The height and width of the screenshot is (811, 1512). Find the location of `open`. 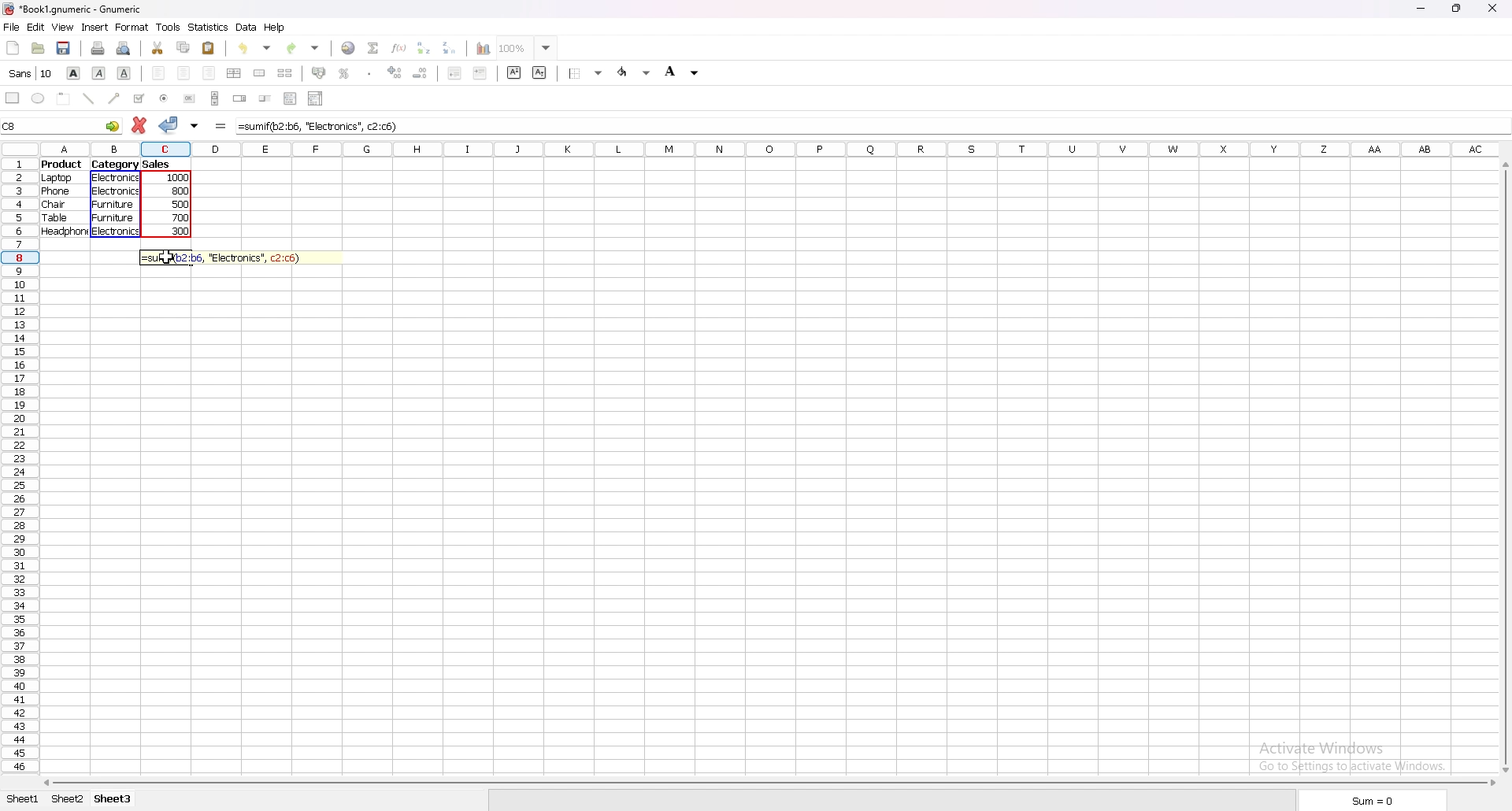

open is located at coordinates (39, 46).